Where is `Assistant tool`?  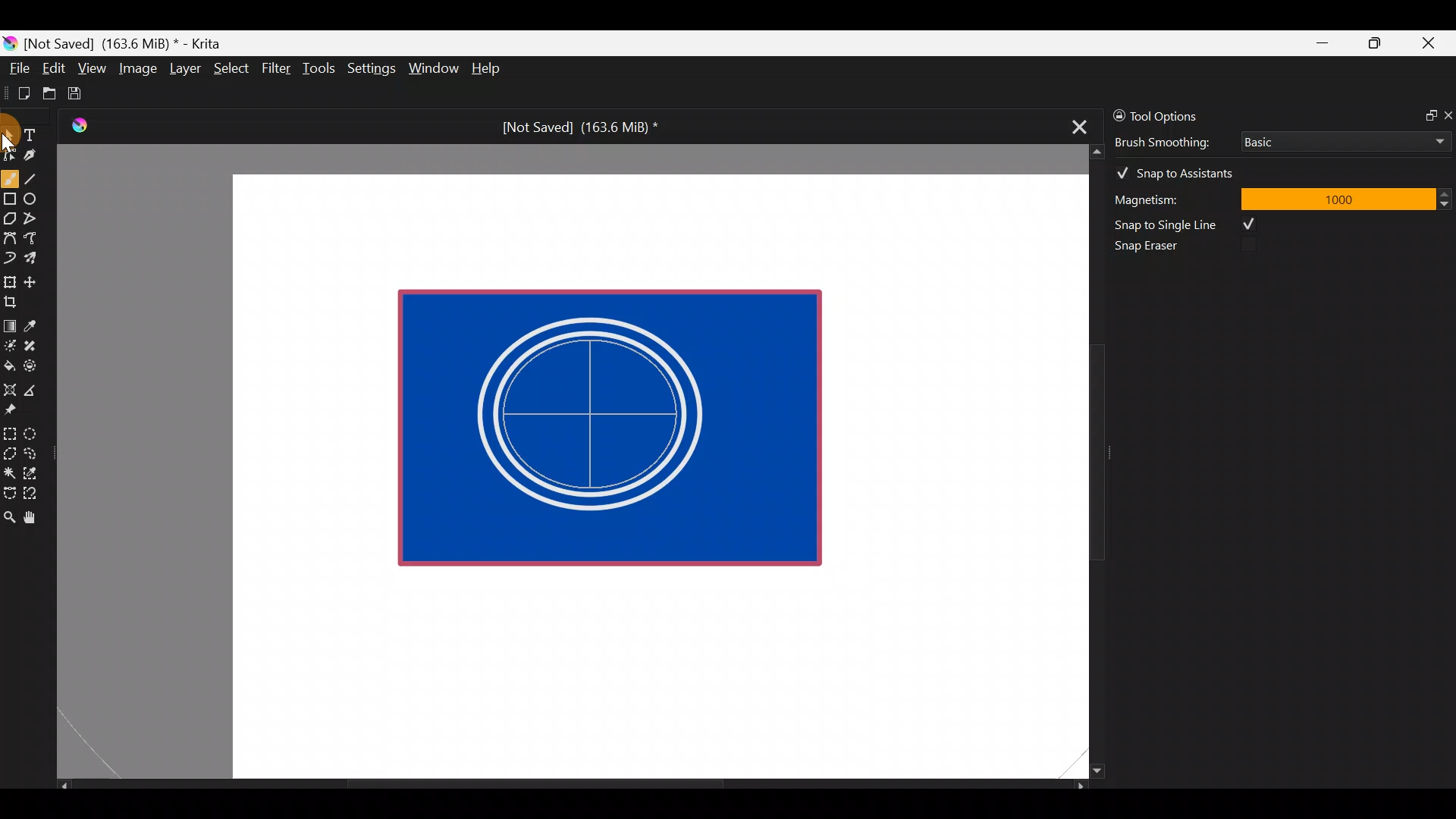
Assistant tool is located at coordinates (9, 385).